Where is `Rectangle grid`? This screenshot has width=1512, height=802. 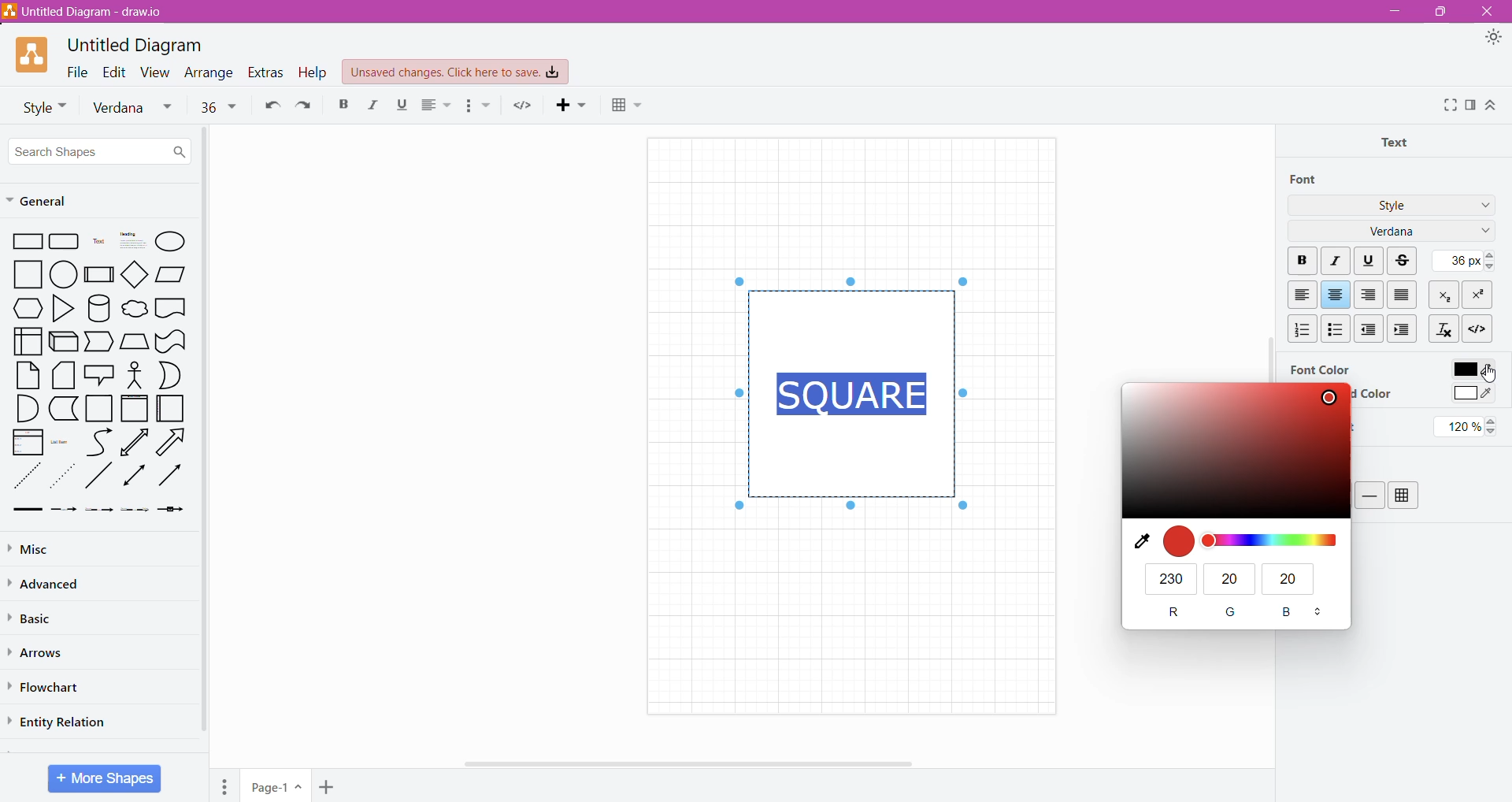 Rectangle grid is located at coordinates (66, 240).